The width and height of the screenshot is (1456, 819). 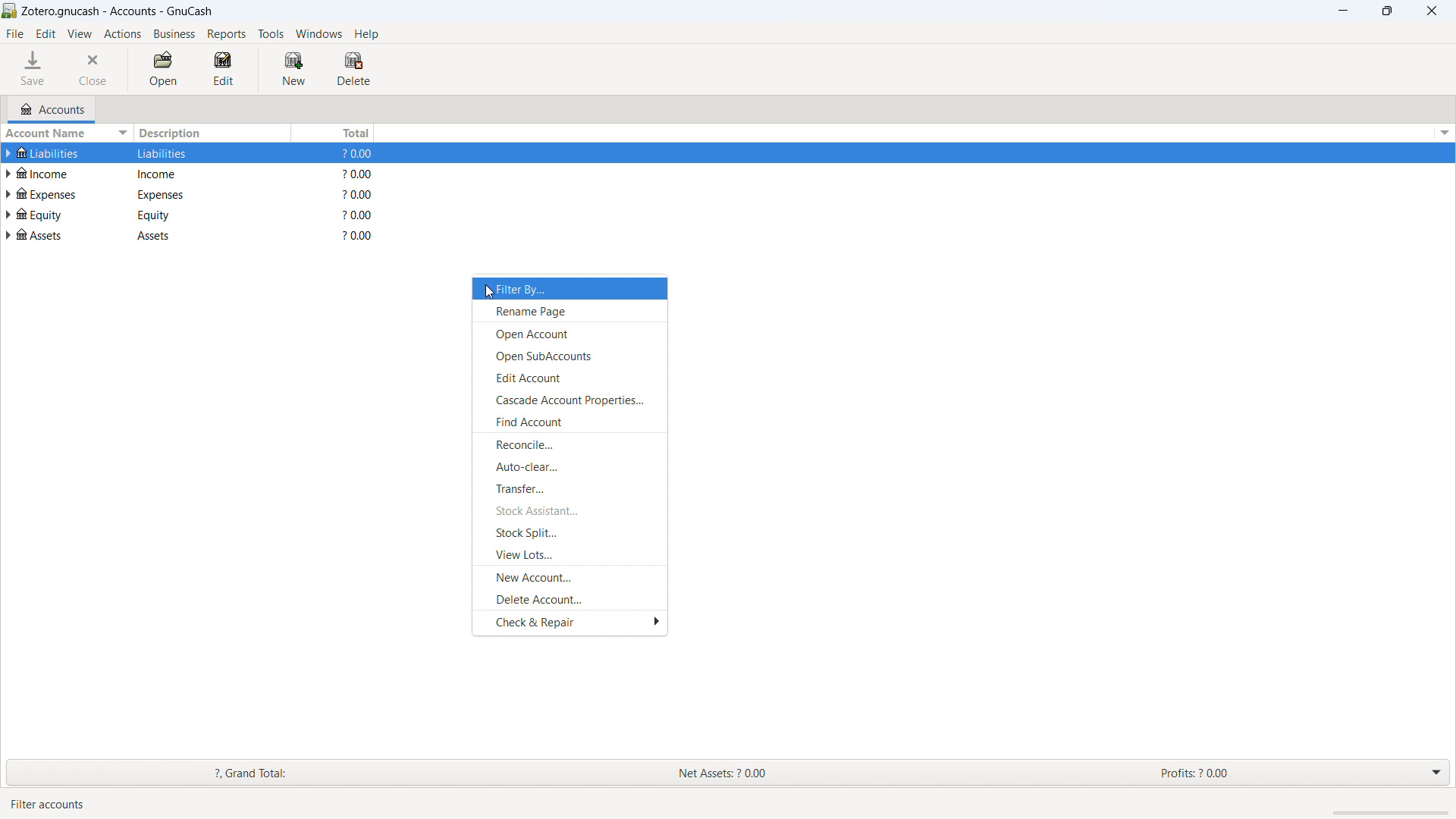 What do you see at coordinates (35, 69) in the screenshot?
I see `save` at bounding box center [35, 69].